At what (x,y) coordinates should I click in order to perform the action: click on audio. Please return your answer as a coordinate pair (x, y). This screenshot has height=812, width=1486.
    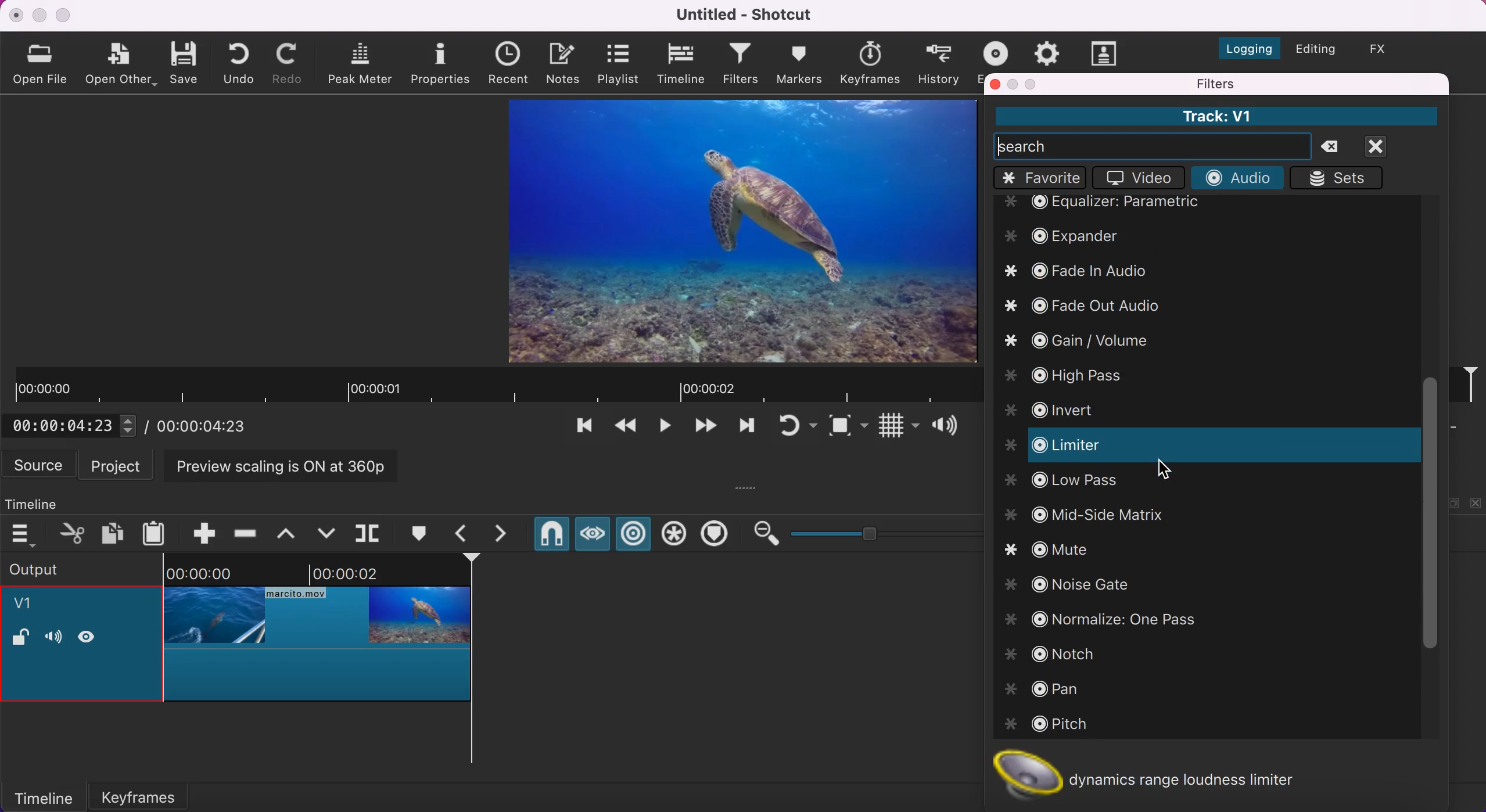
    Looking at the image, I should click on (1236, 177).